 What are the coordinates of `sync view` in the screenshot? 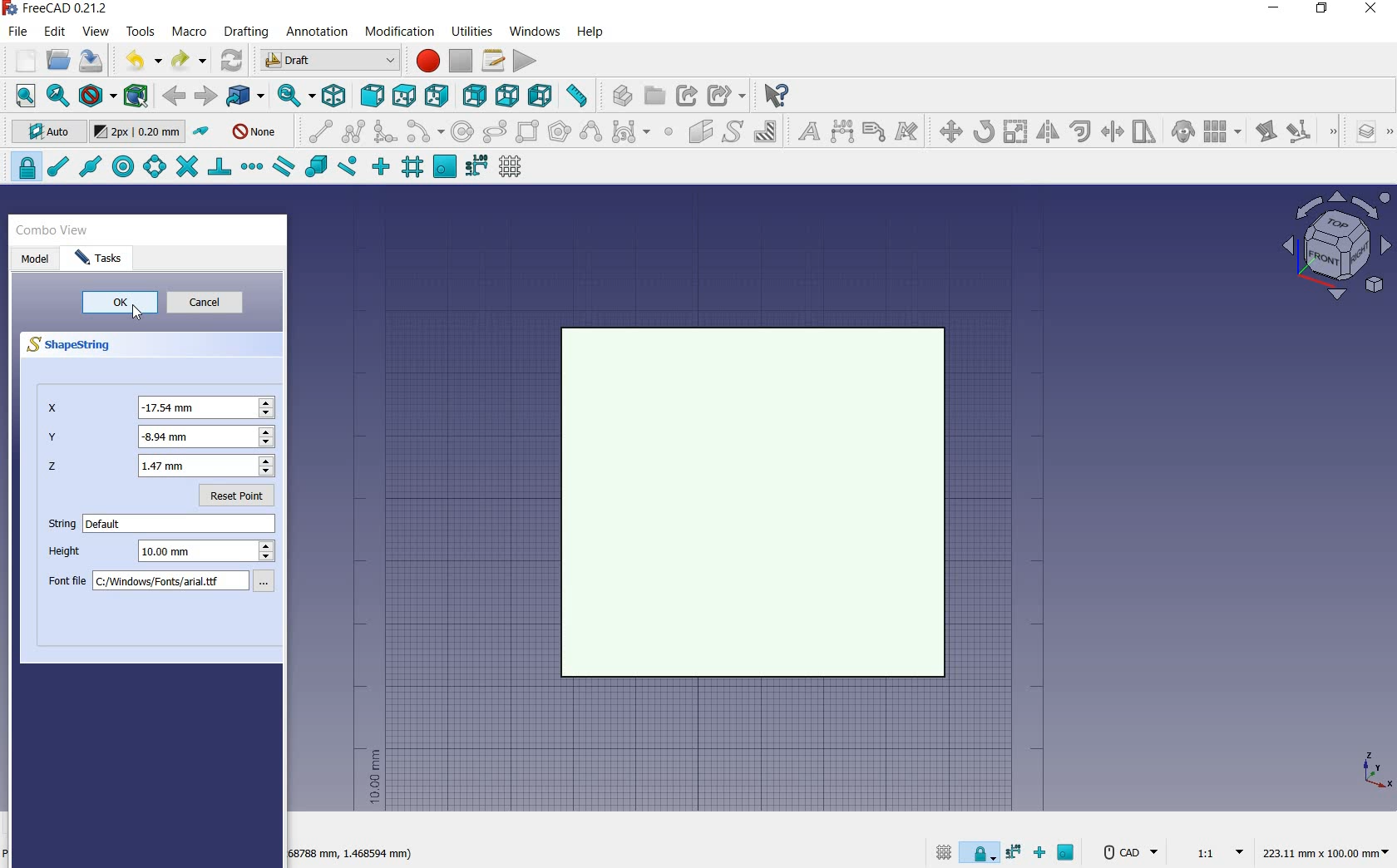 It's located at (292, 96).